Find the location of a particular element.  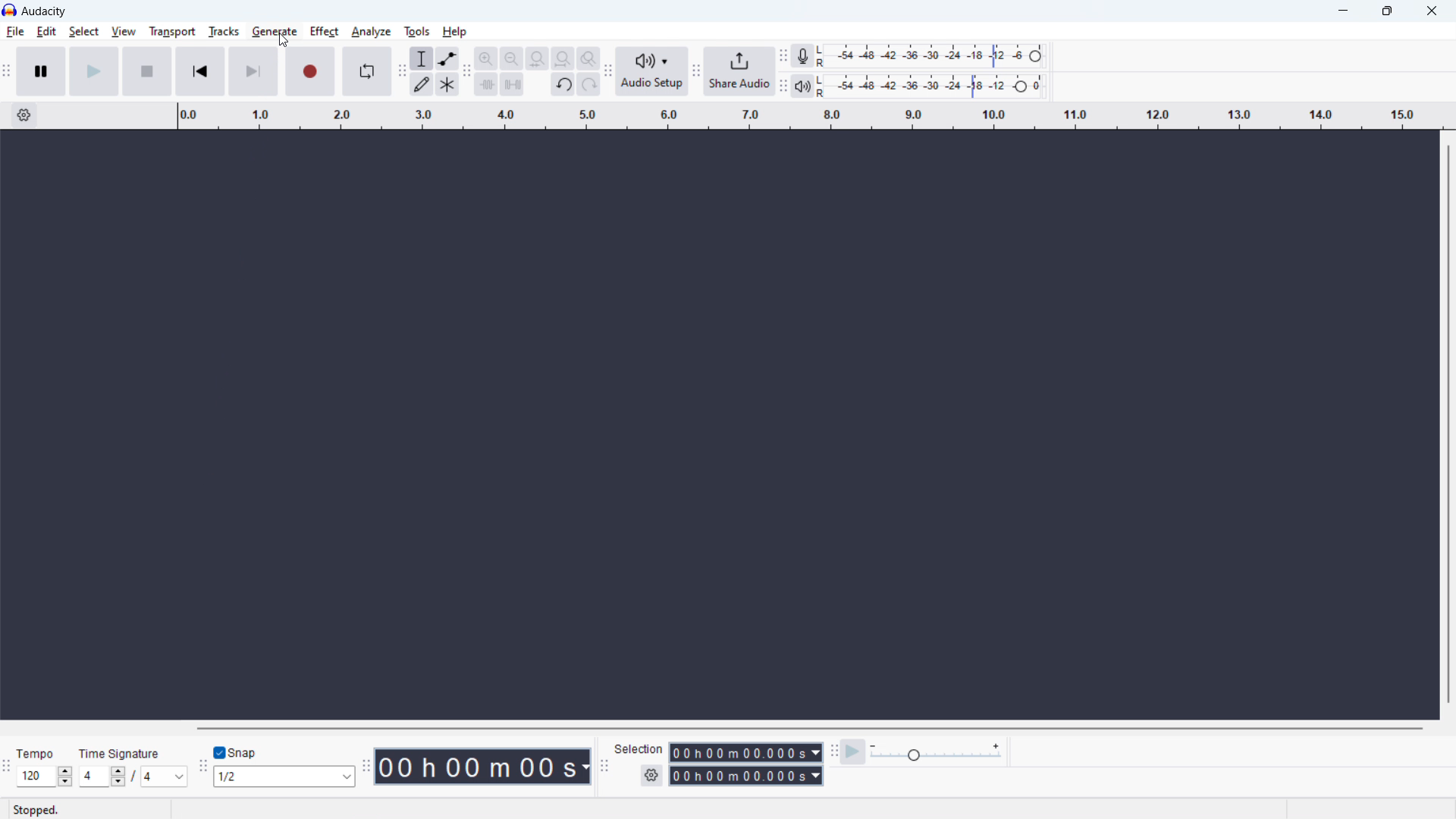

toggle zoom is located at coordinates (588, 58).